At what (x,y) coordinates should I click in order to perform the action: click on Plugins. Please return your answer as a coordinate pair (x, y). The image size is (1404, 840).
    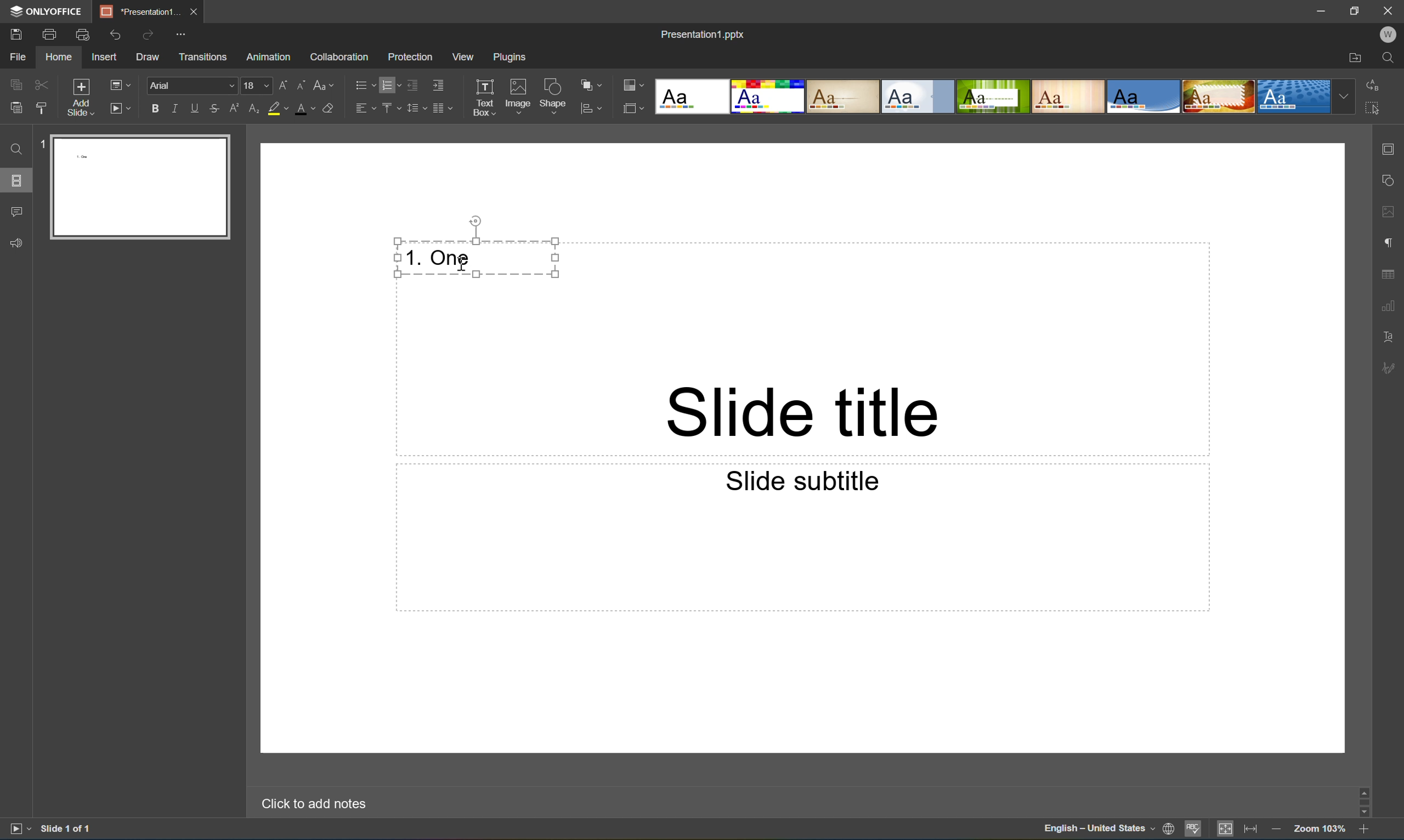
    Looking at the image, I should click on (507, 58).